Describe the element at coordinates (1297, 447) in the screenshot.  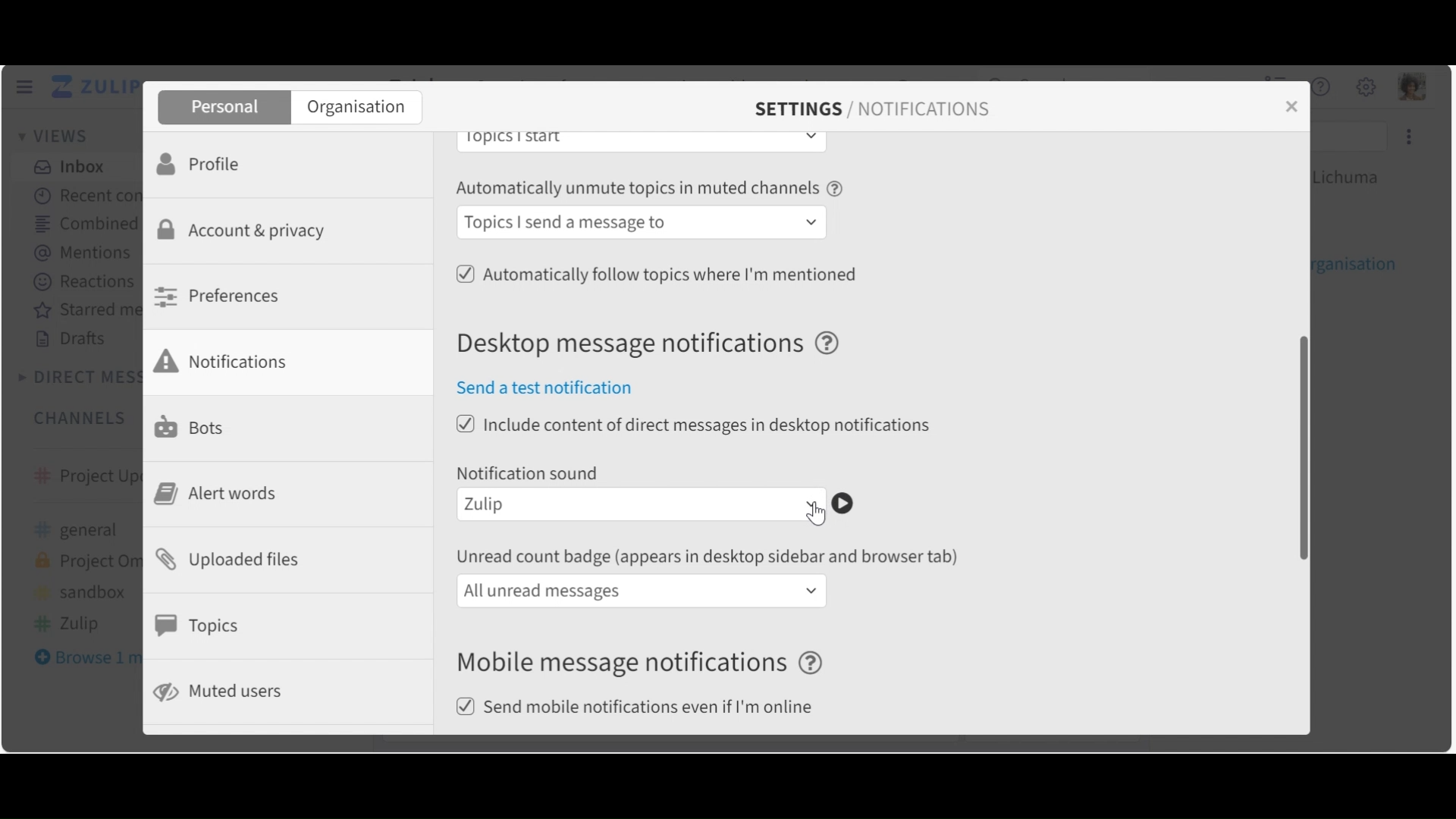
I see `vertical scroll bar` at that location.